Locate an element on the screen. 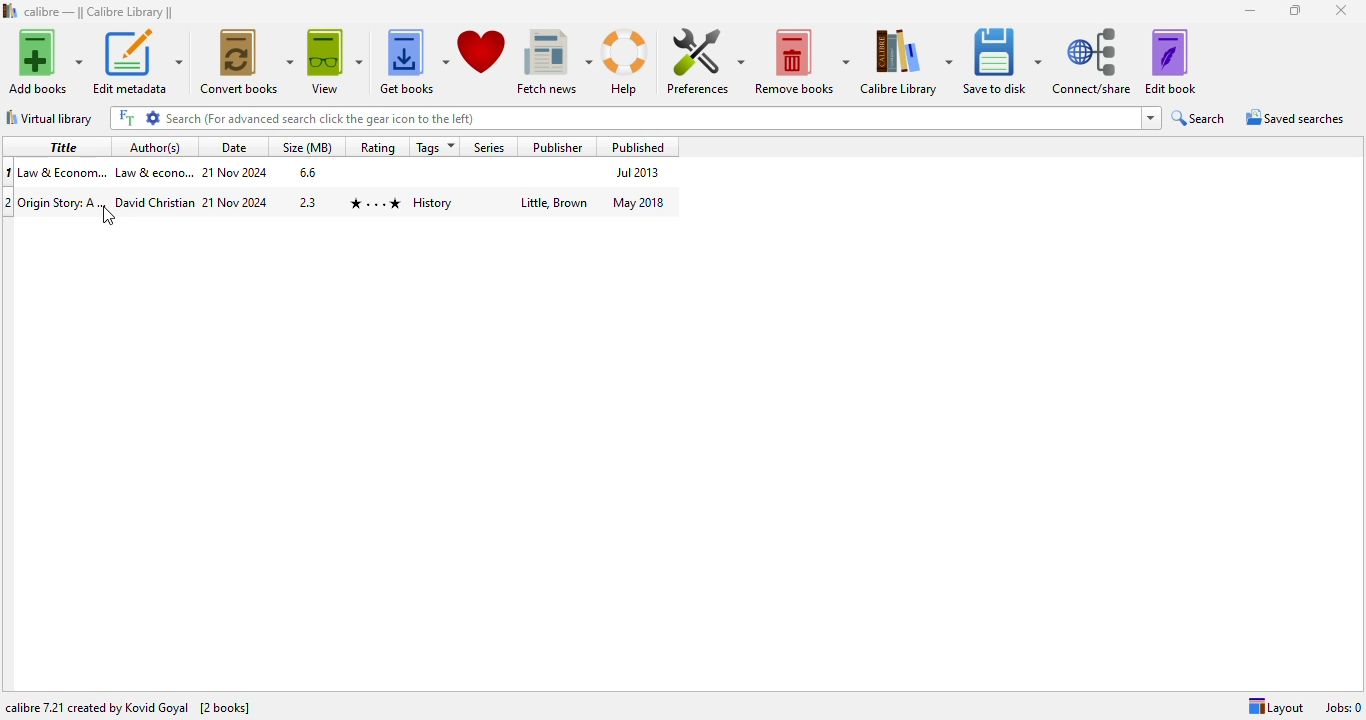 The height and width of the screenshot is (720, 1366). 2.3 is located at coordinates (307, 202).